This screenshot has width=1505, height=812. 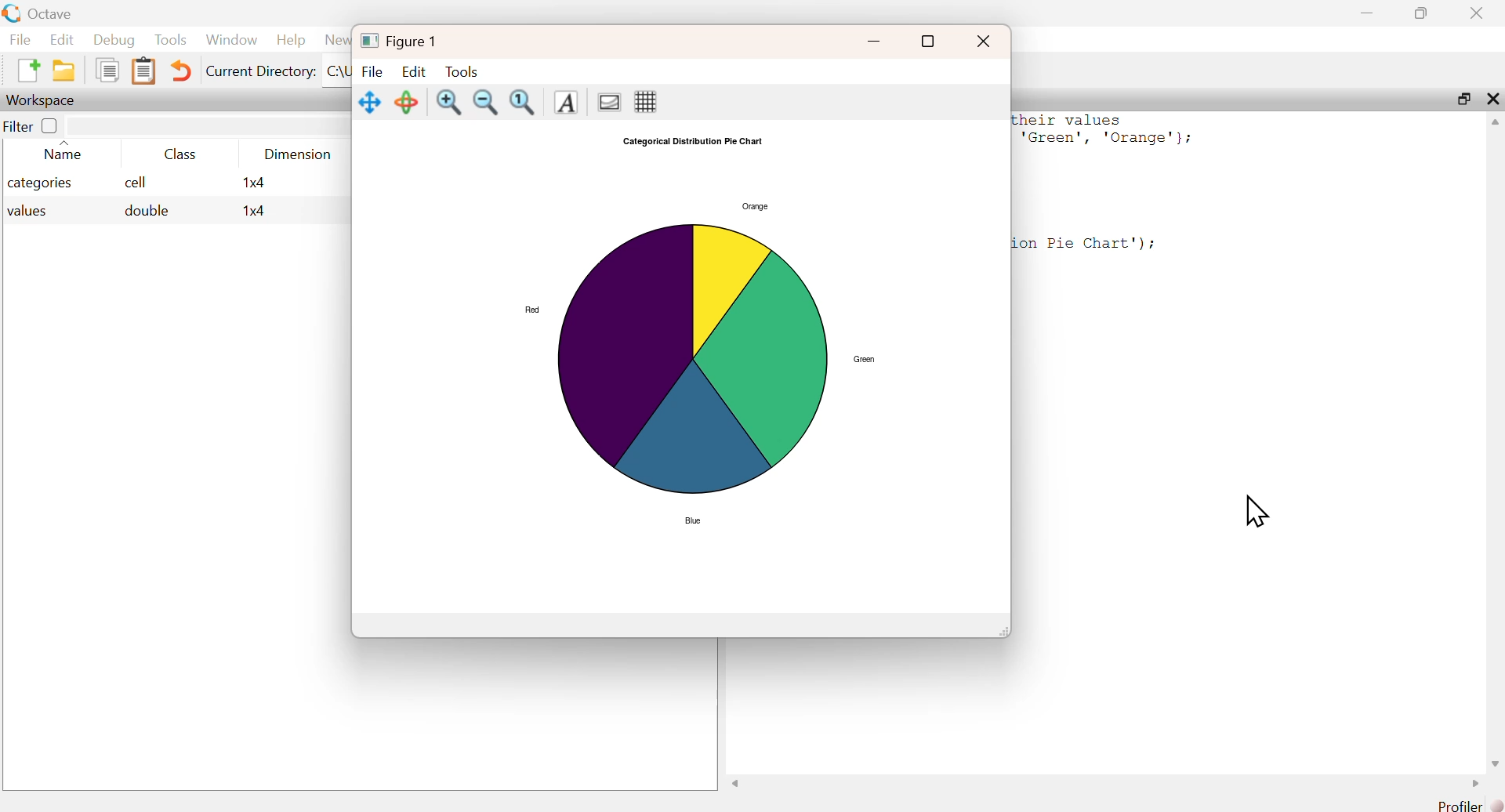 What do you see at coordinates (374, 73) in the screenshot?
I see `File` at bounding box center [374, 73].